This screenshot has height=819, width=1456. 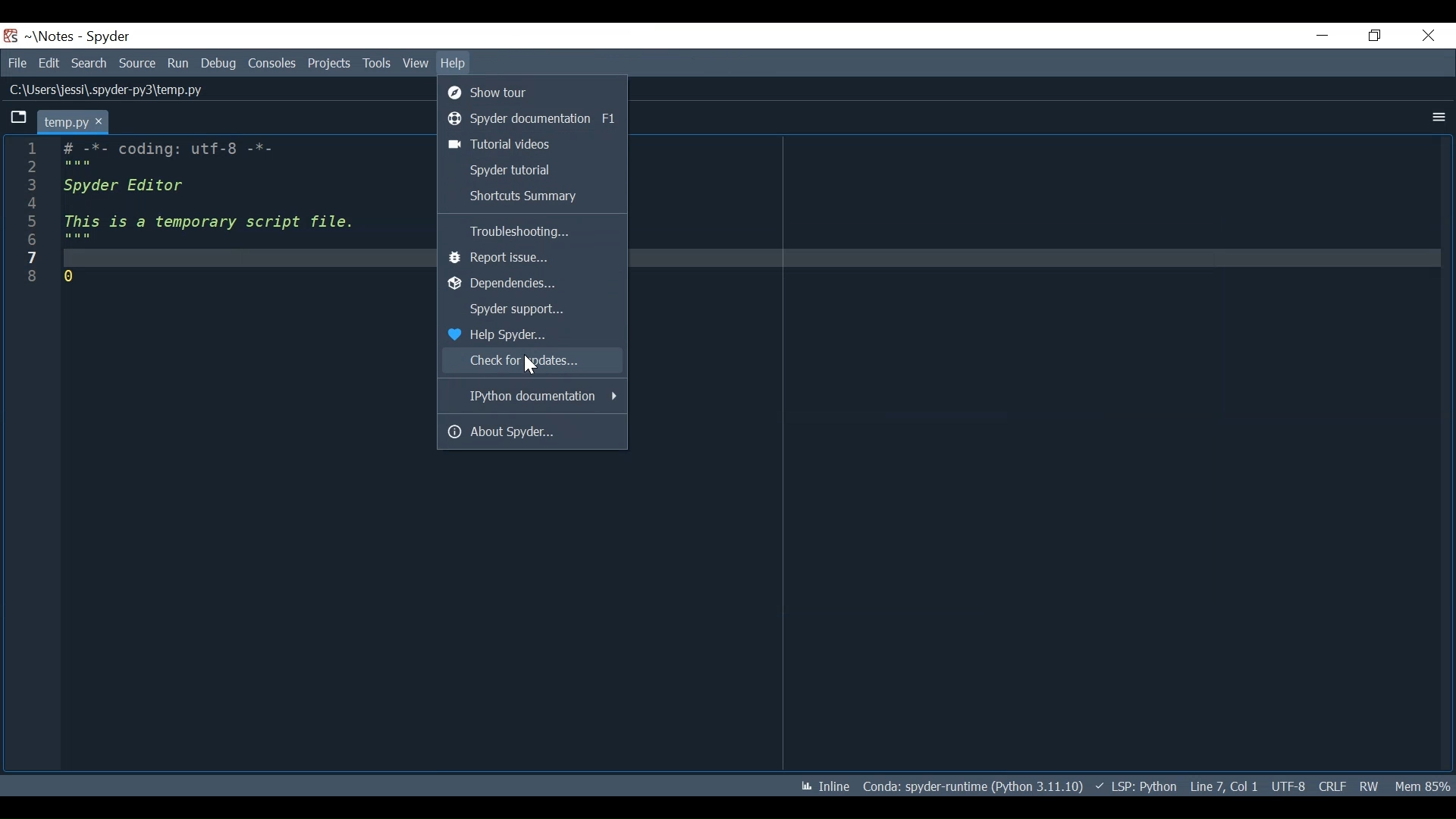 What do you see at coordinates (17, 62) in the screenshot?
I see `File ` at bounding box center [17, 62].